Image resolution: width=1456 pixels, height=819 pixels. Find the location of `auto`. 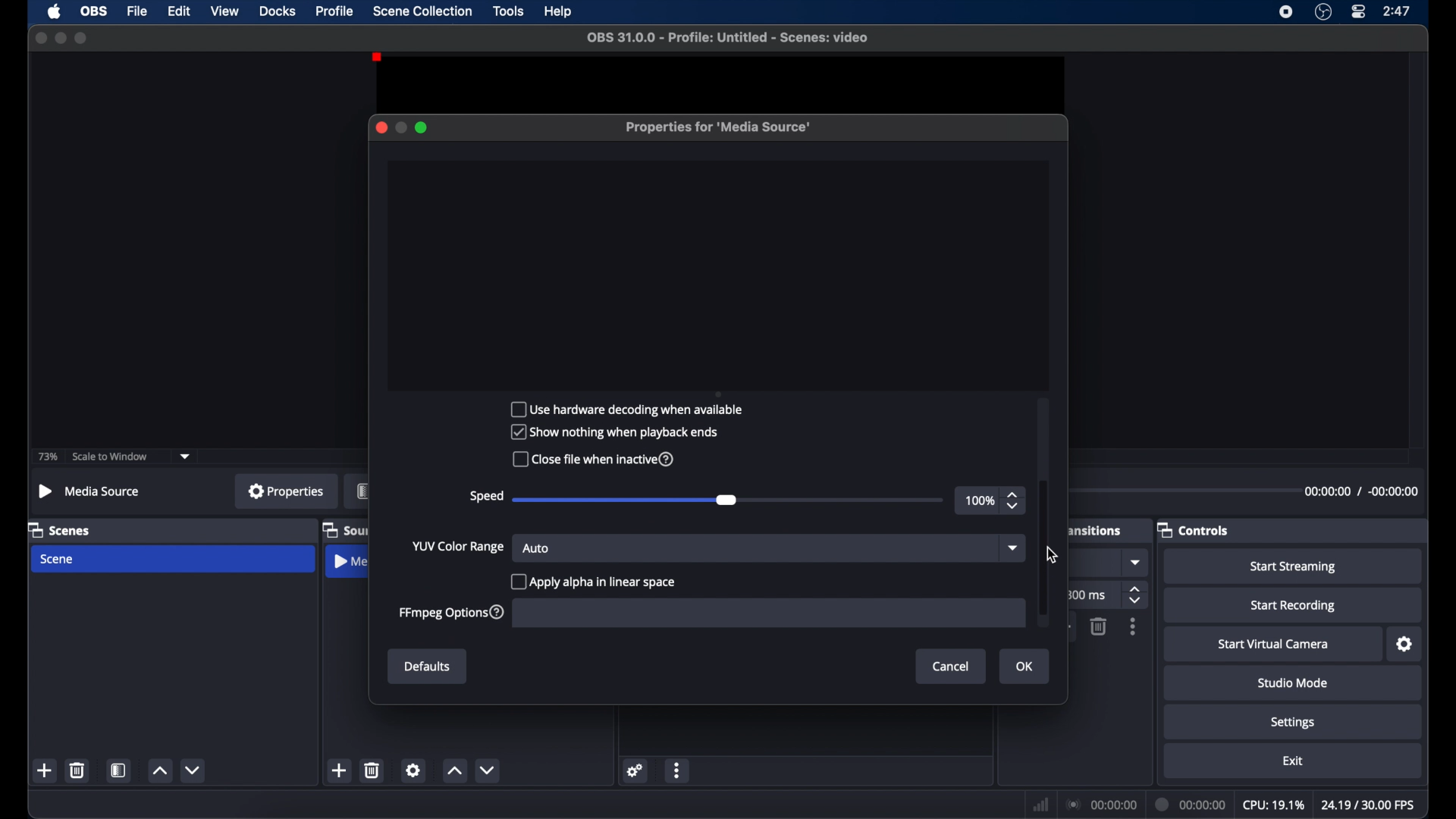

auto is located at coordinates (536, 548).